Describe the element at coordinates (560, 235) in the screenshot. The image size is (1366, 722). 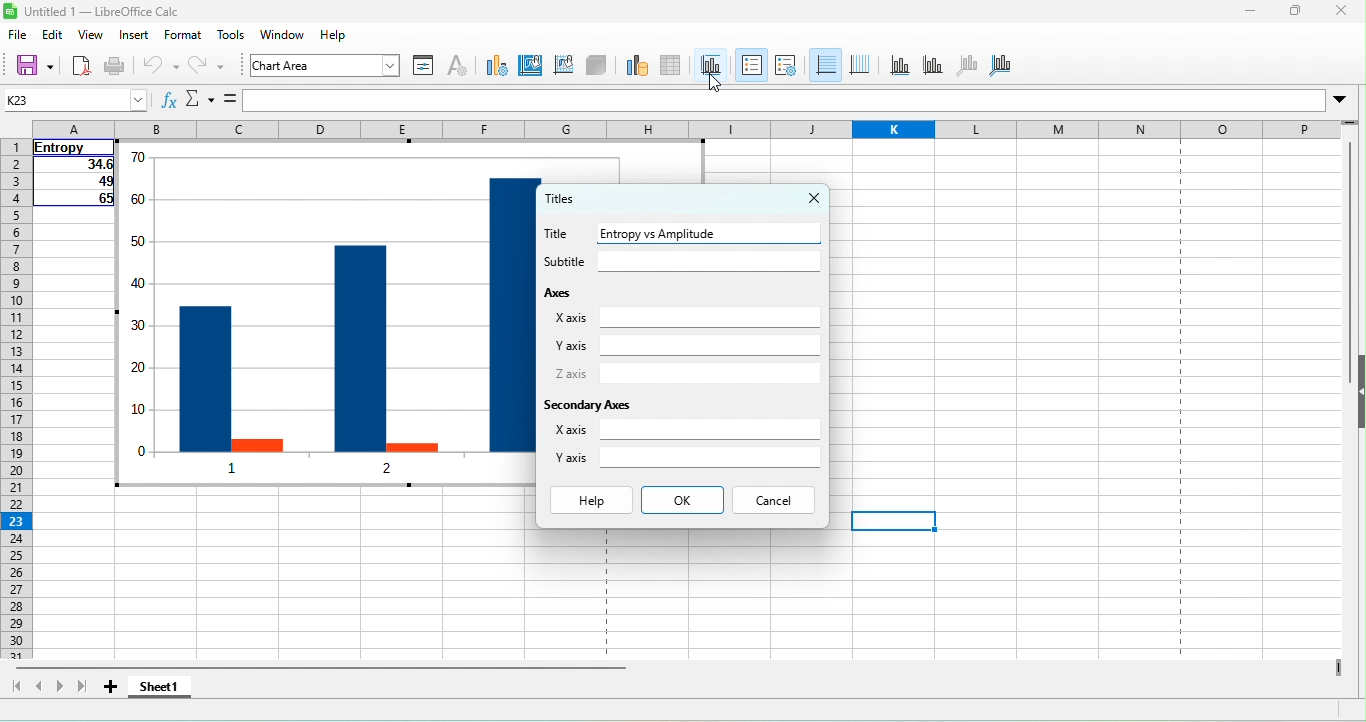
I see `title` at that location.